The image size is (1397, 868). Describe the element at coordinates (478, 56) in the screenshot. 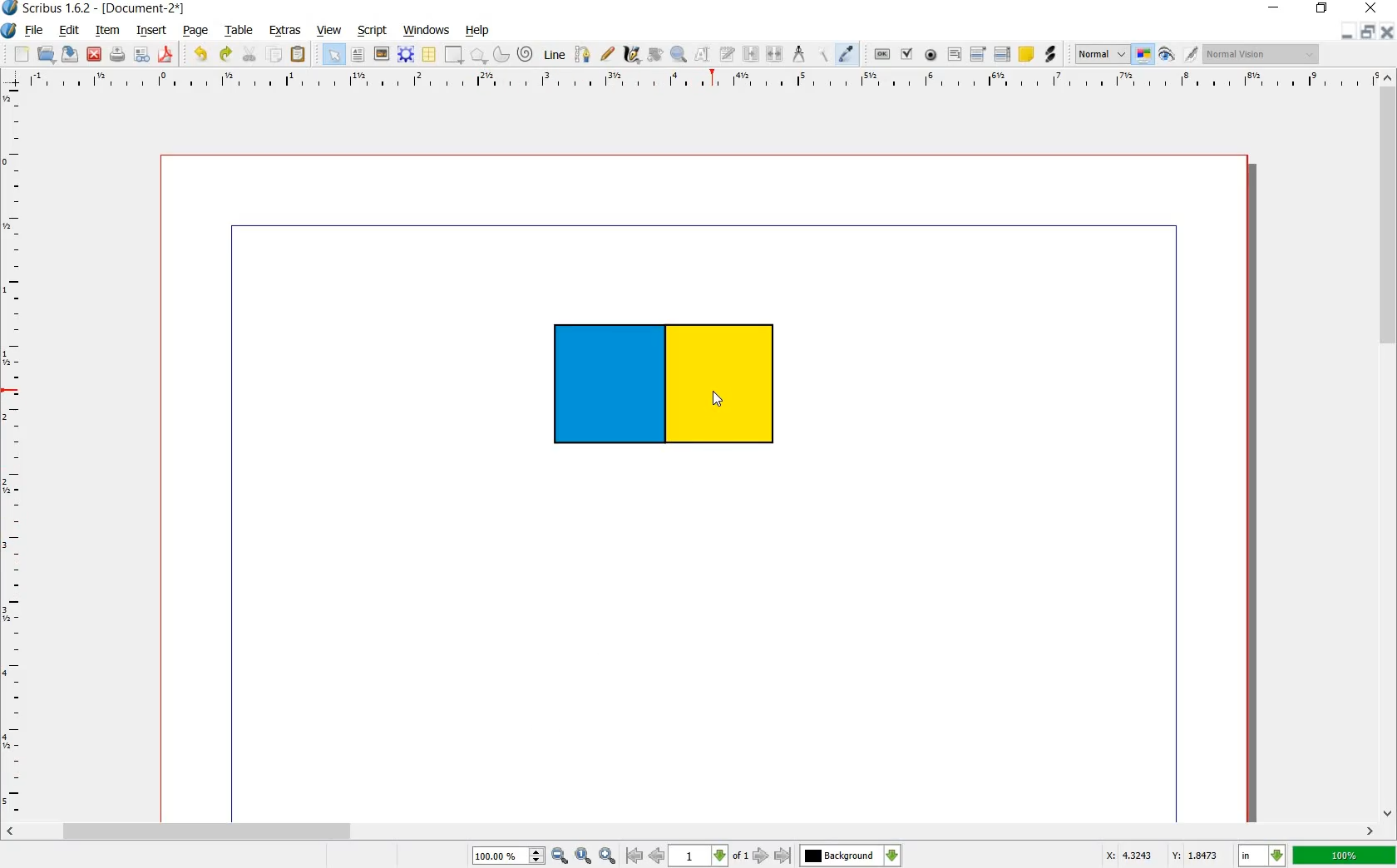

I see `polygon` at that location.